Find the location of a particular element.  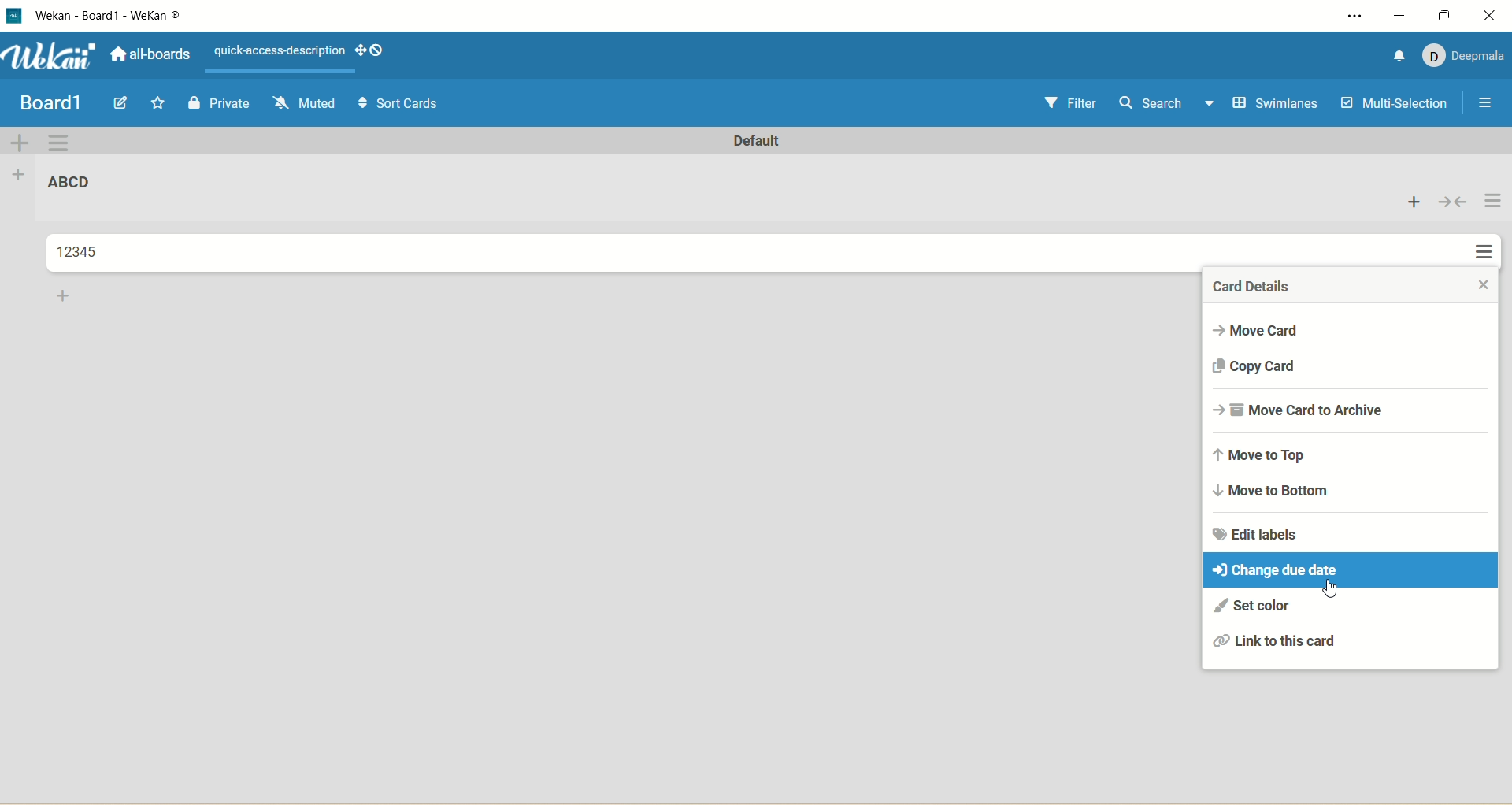

swimlane action is located at coordinates (59, 143).